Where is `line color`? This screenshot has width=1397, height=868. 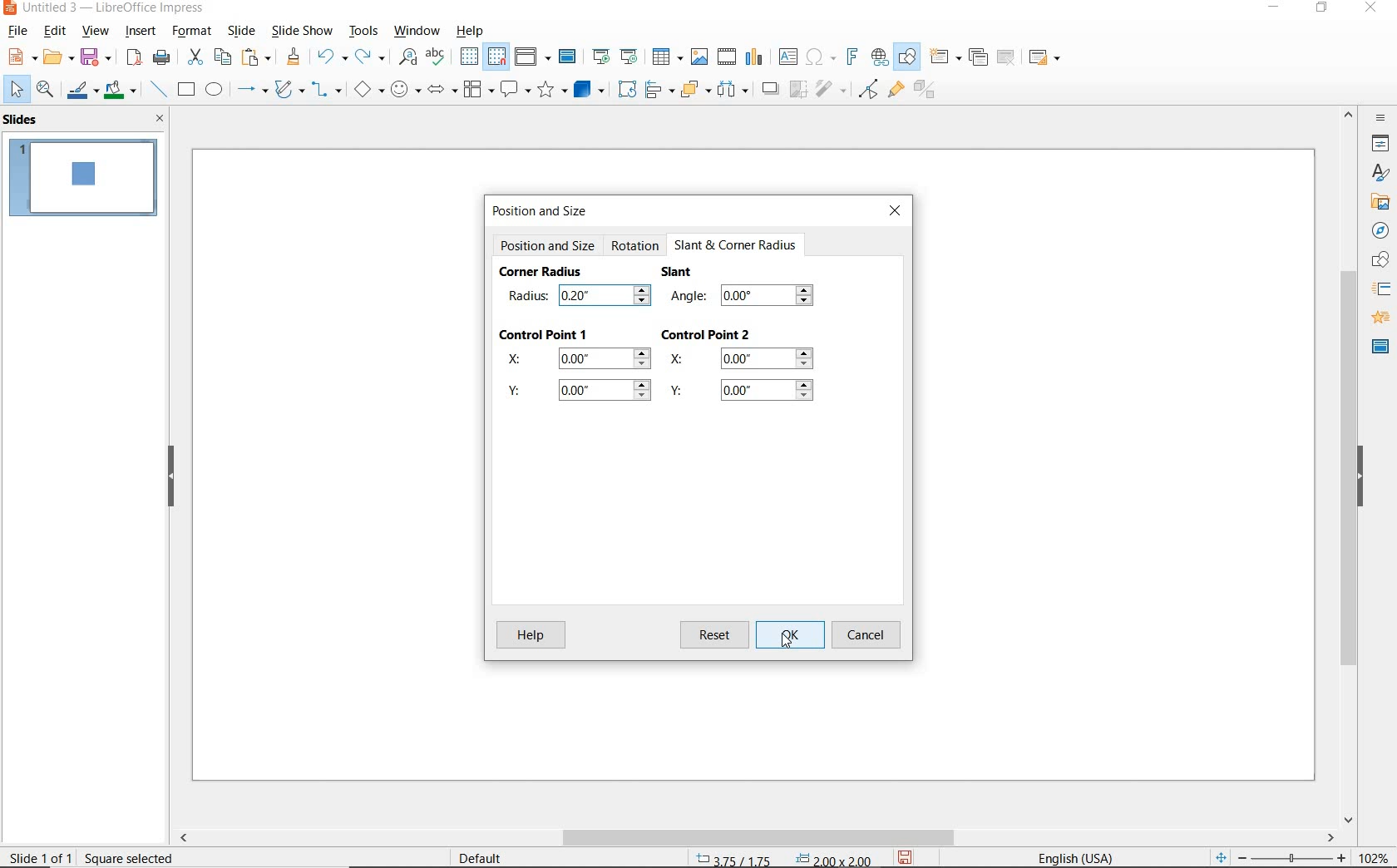 line color is located at coordinates (81, 89).